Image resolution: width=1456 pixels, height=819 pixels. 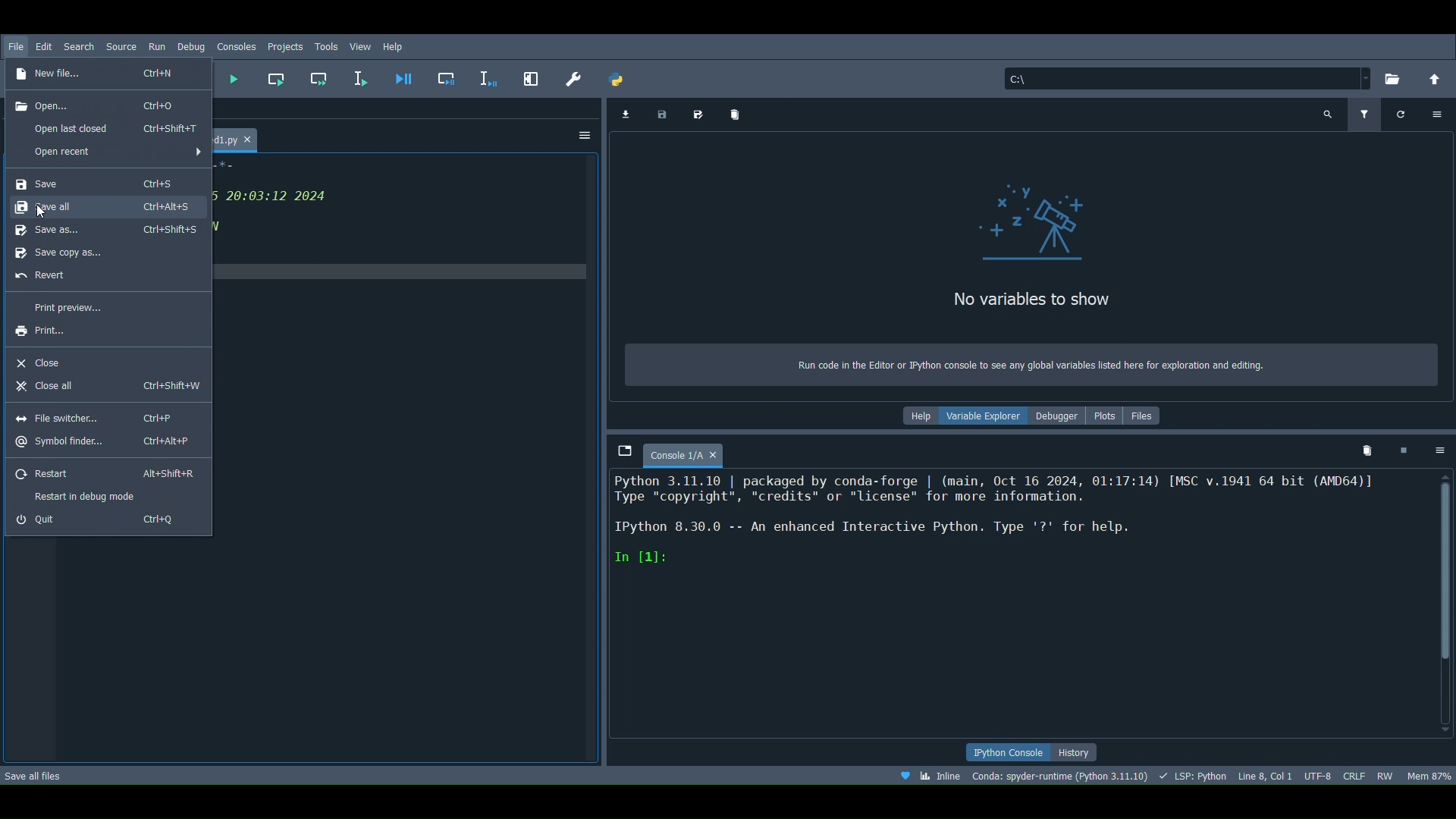 I want to click on Save data, so click(x=661, y=113).